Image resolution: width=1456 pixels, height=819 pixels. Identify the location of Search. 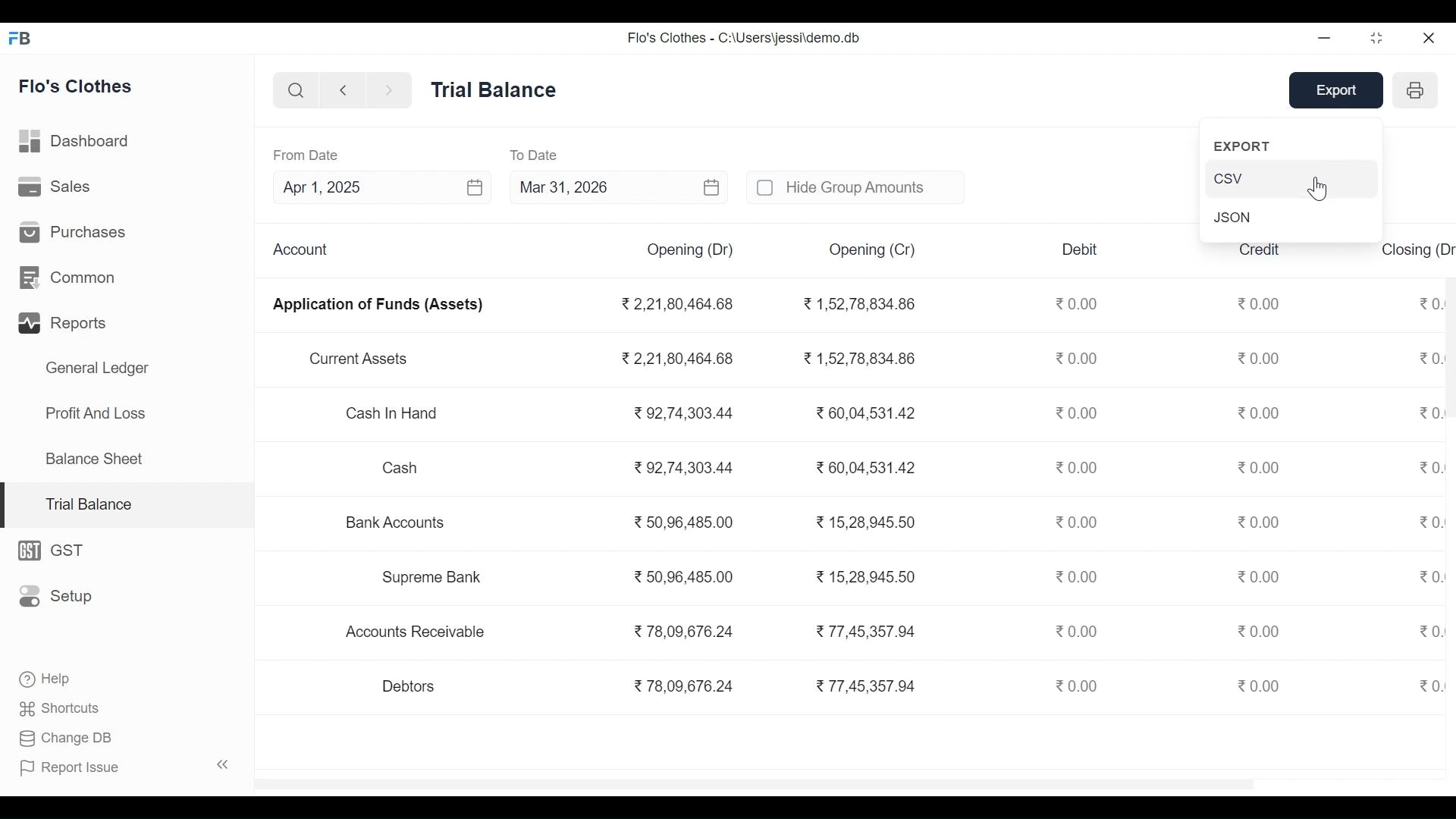
(293, 89).